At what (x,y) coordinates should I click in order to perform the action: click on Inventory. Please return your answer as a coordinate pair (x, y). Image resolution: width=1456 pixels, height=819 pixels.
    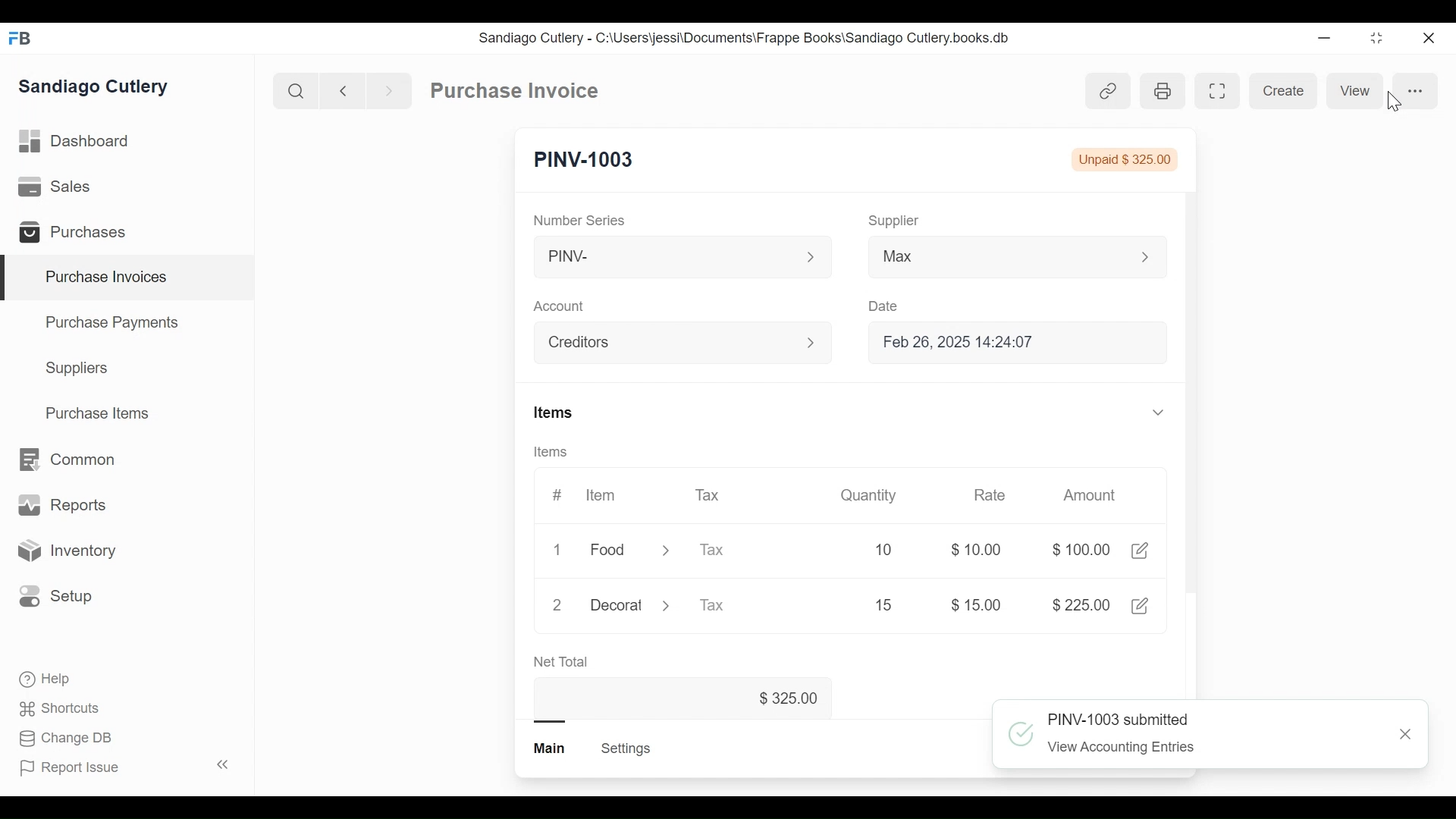
    Looking at the image, I should click on (65, 551).